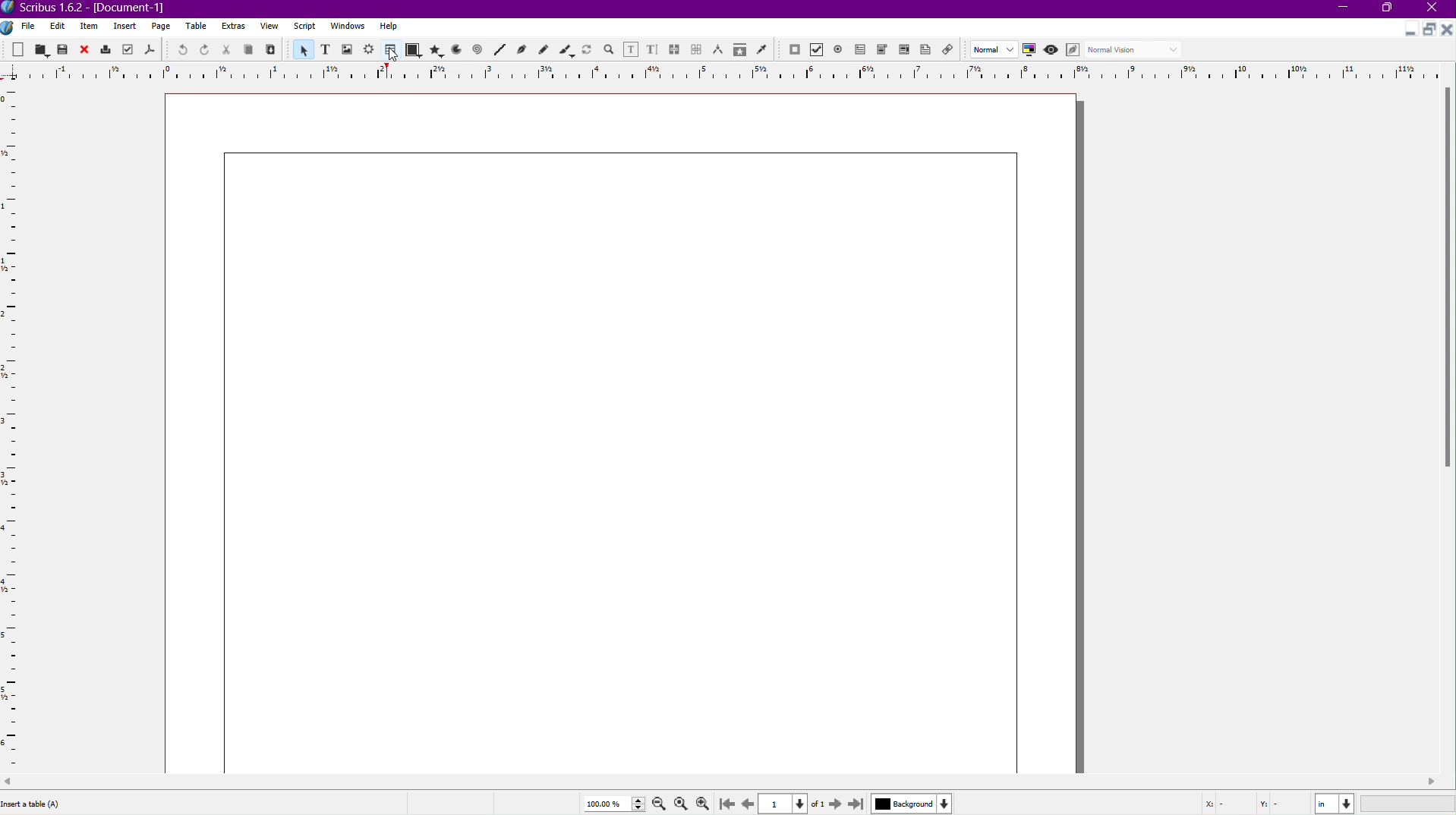 This screenshot has width=1456, height=815. Describe the element at coordinates (747, 801) in the screenshot. I see `Go to Previous Page` at that location.